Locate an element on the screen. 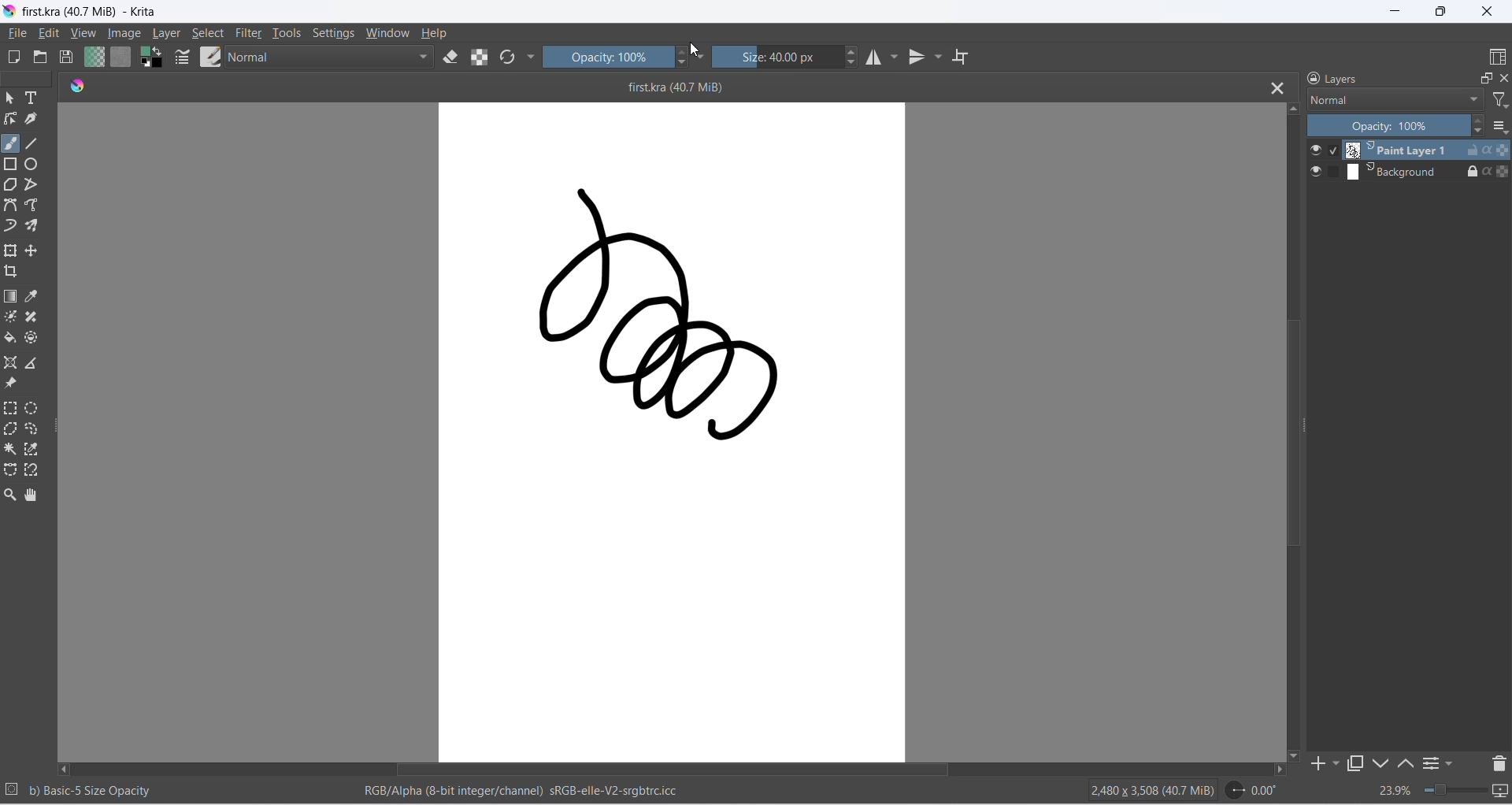 Image resolution: width=1512 pixels, height=805 pixels. enclose and fill tool is located at coordinates (31, 338).